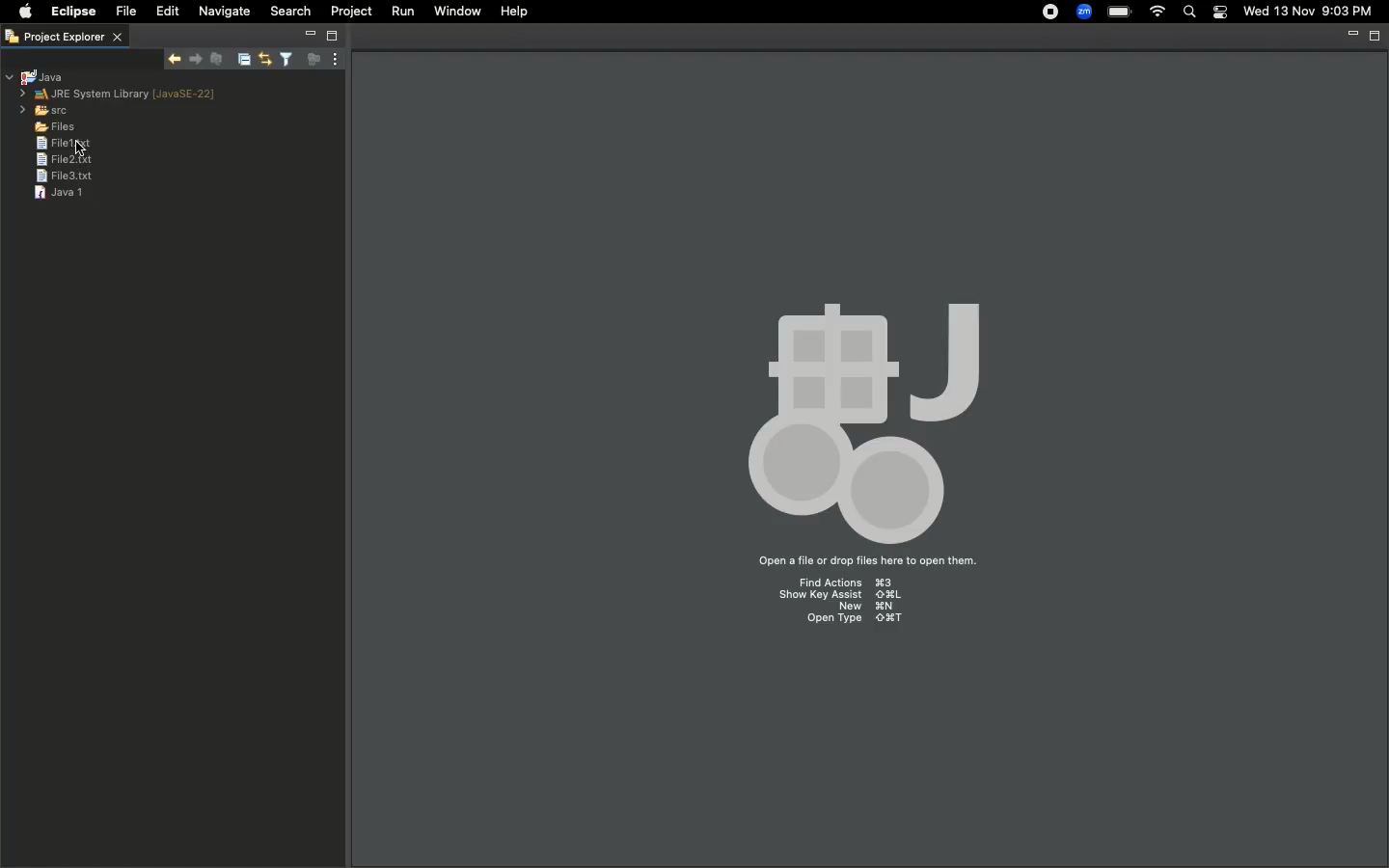 The height and width of the screenshot is (868, 1389). Describe the element at coordinates (1373, 38) in the screenshot. I see `Maximize` at that location.